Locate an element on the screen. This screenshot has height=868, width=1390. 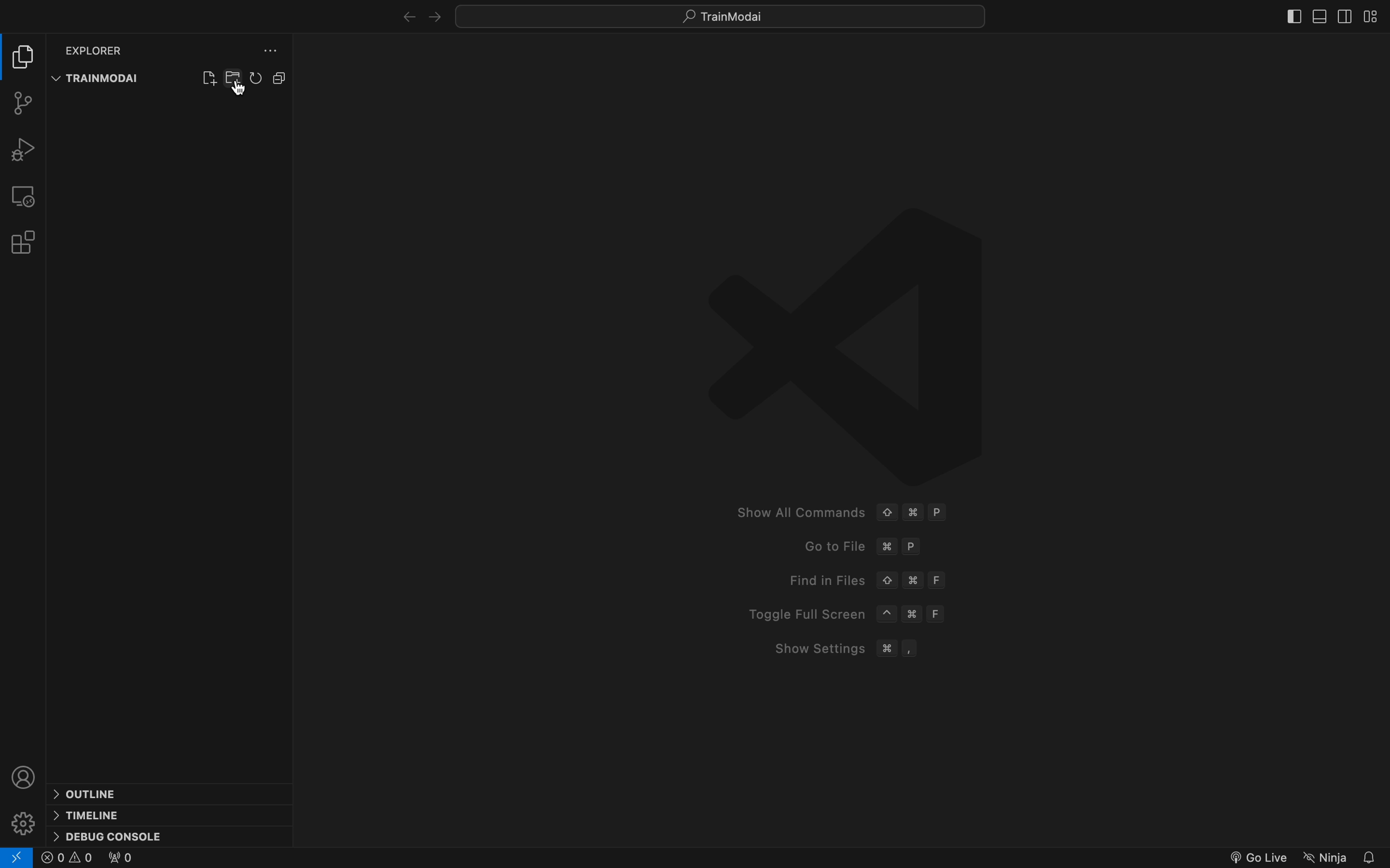
Find in files is located at coordinates (861, 581).